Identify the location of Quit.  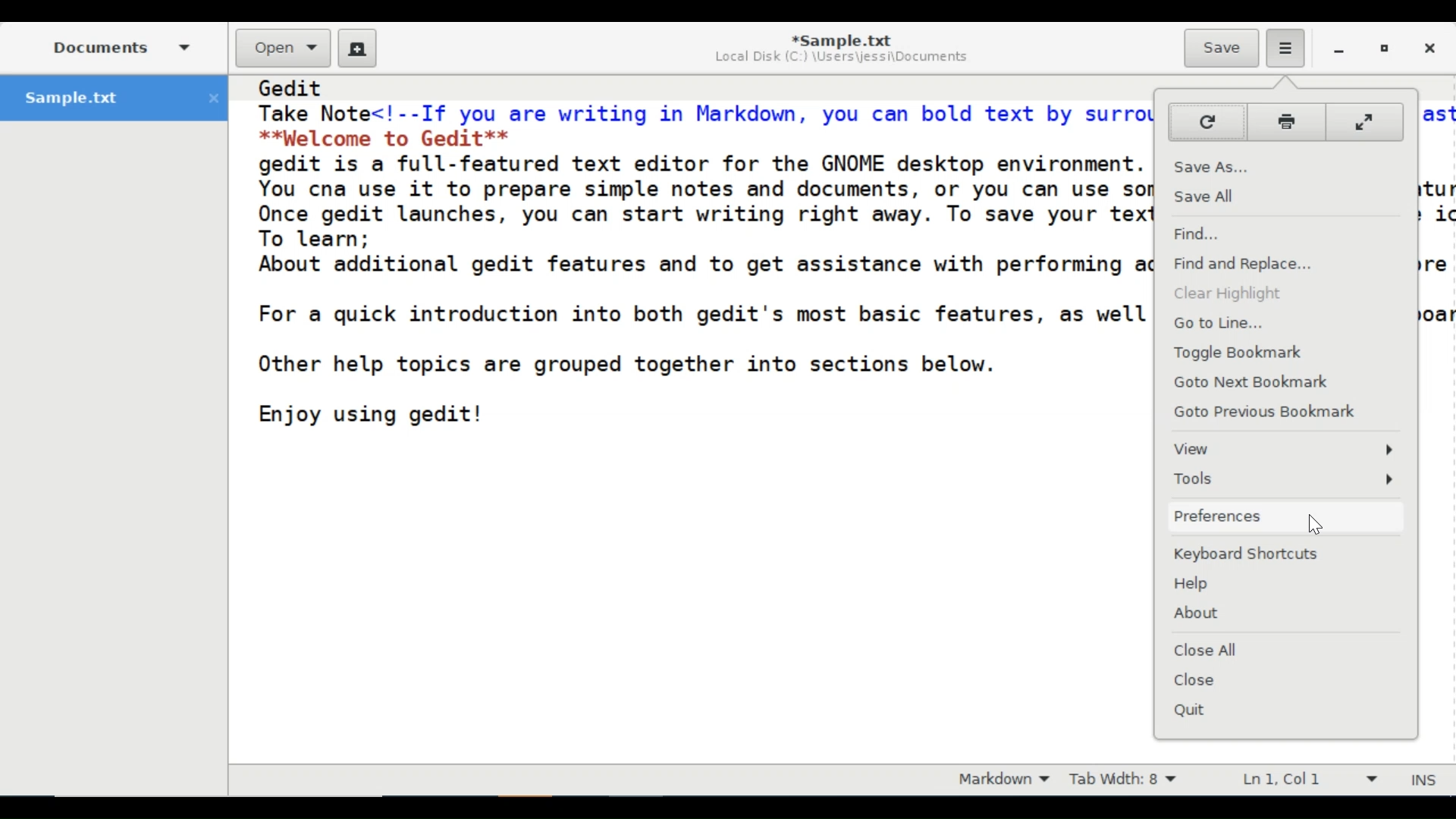
(1194, 709).